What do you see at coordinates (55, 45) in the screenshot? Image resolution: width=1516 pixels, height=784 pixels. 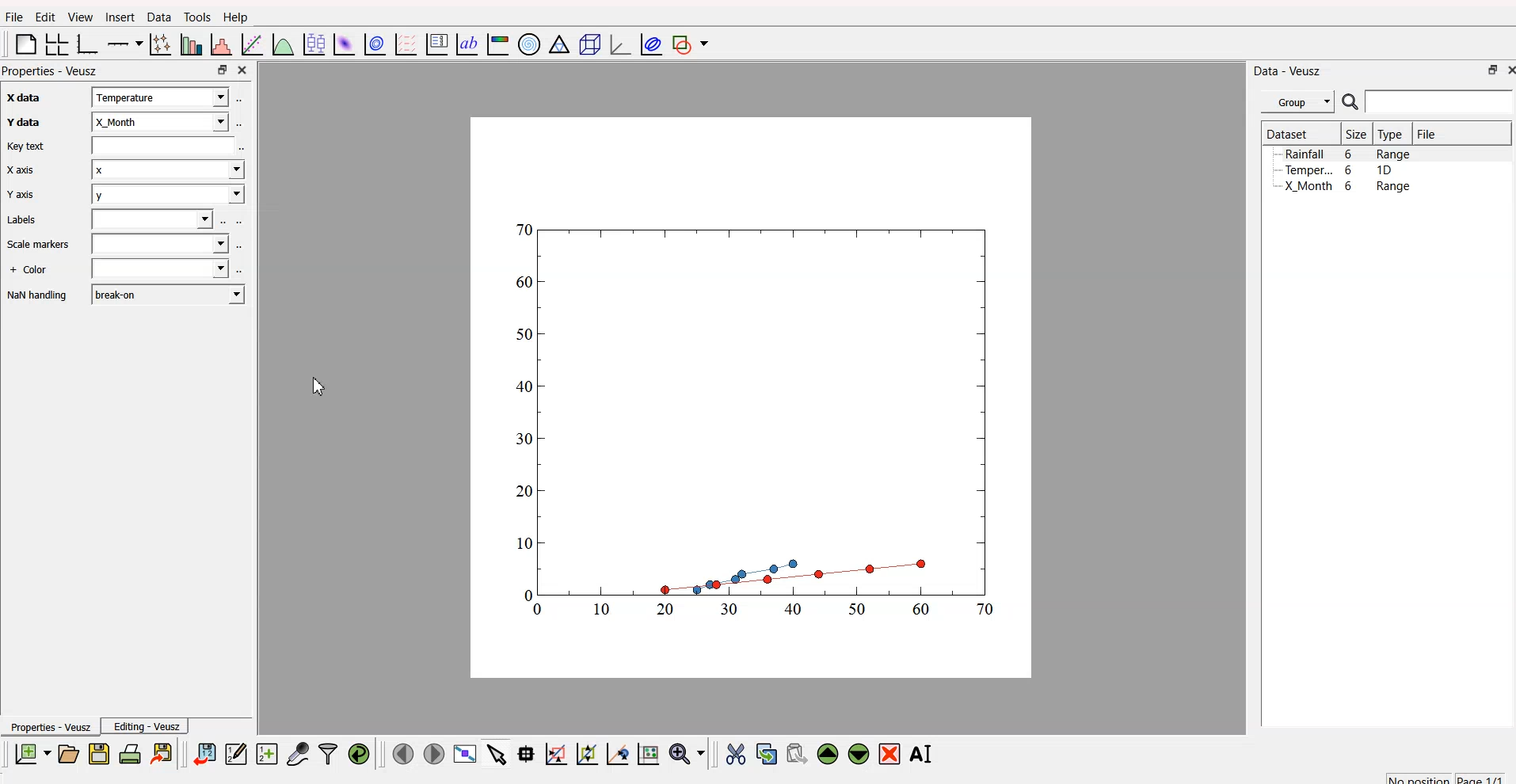 I see `arrange grid in graph` at bounding box center [55, 45].